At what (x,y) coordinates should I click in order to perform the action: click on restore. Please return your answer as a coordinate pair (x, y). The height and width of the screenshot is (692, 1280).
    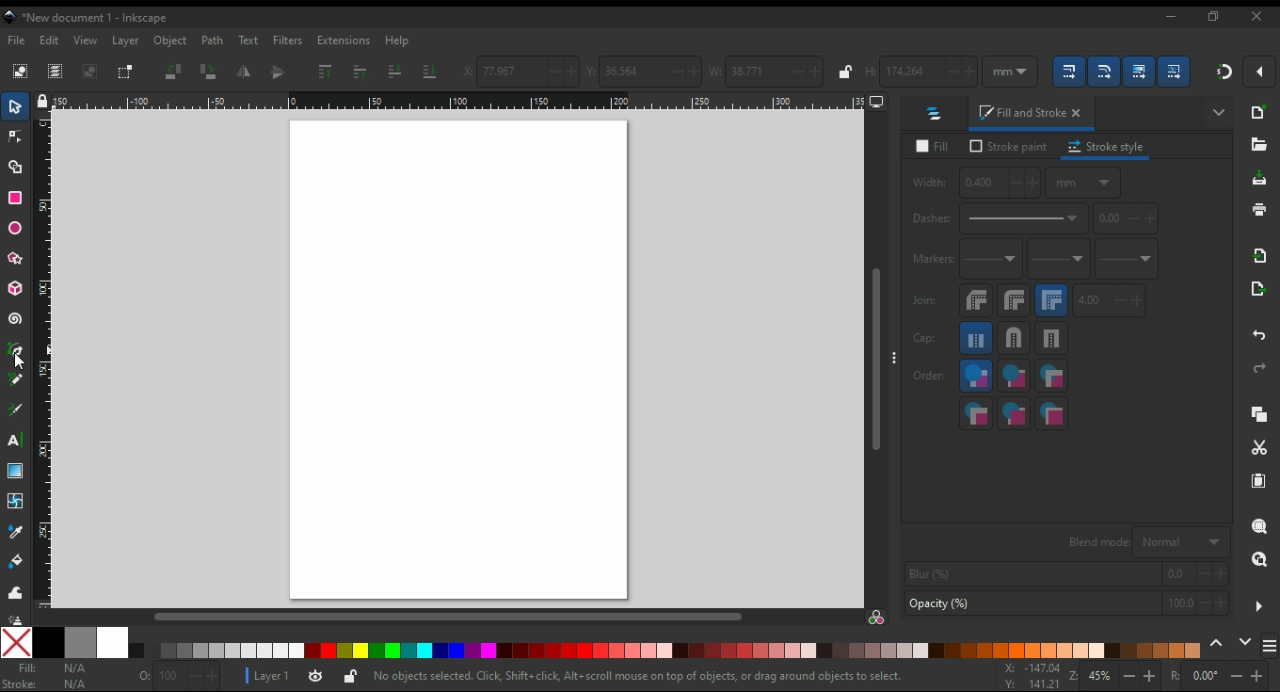
    Looking at the image, I should click on (1215, 18).